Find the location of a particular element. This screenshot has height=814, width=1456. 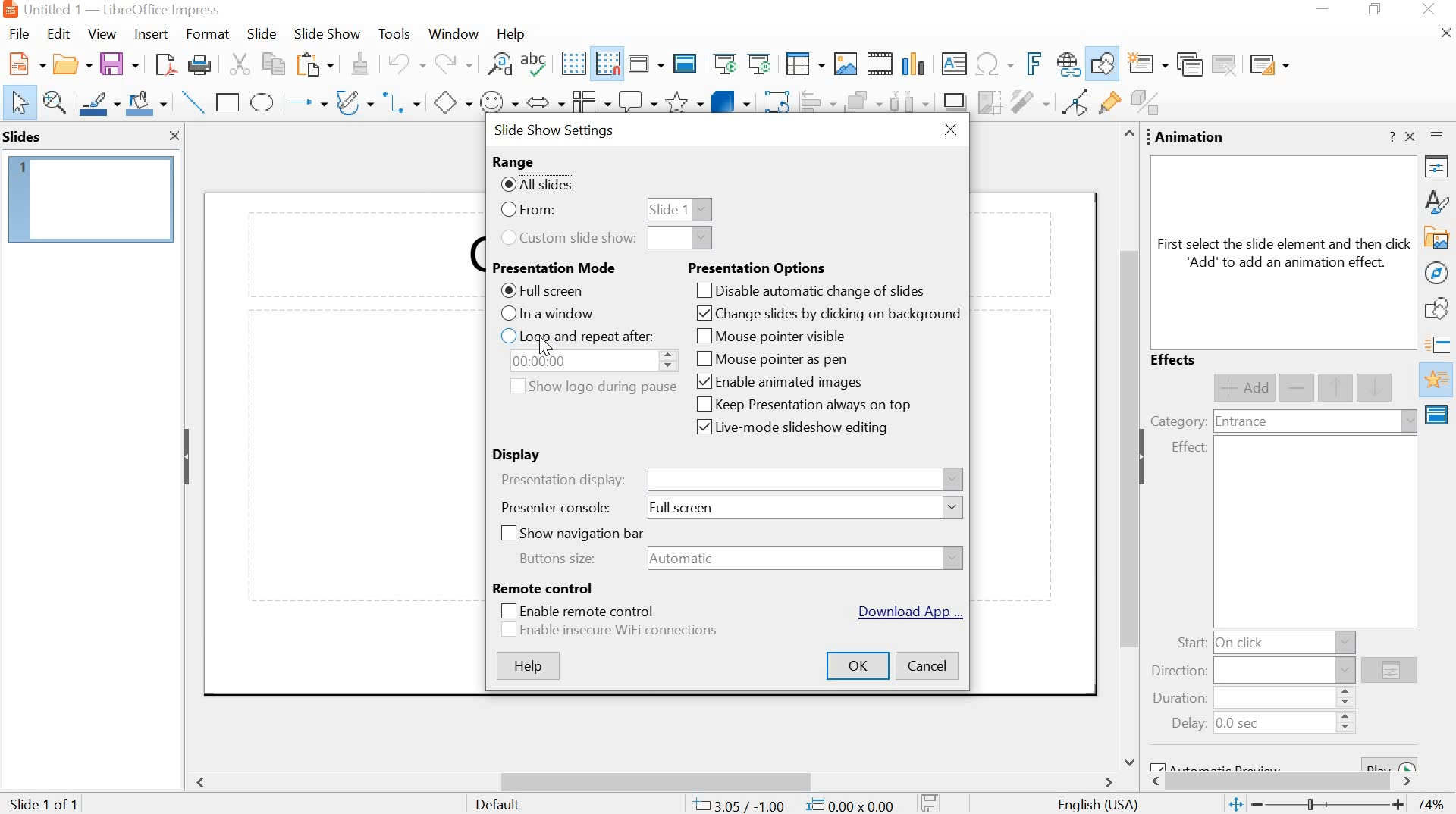

mouse pointer as pen is located at coordinates (771, 359).